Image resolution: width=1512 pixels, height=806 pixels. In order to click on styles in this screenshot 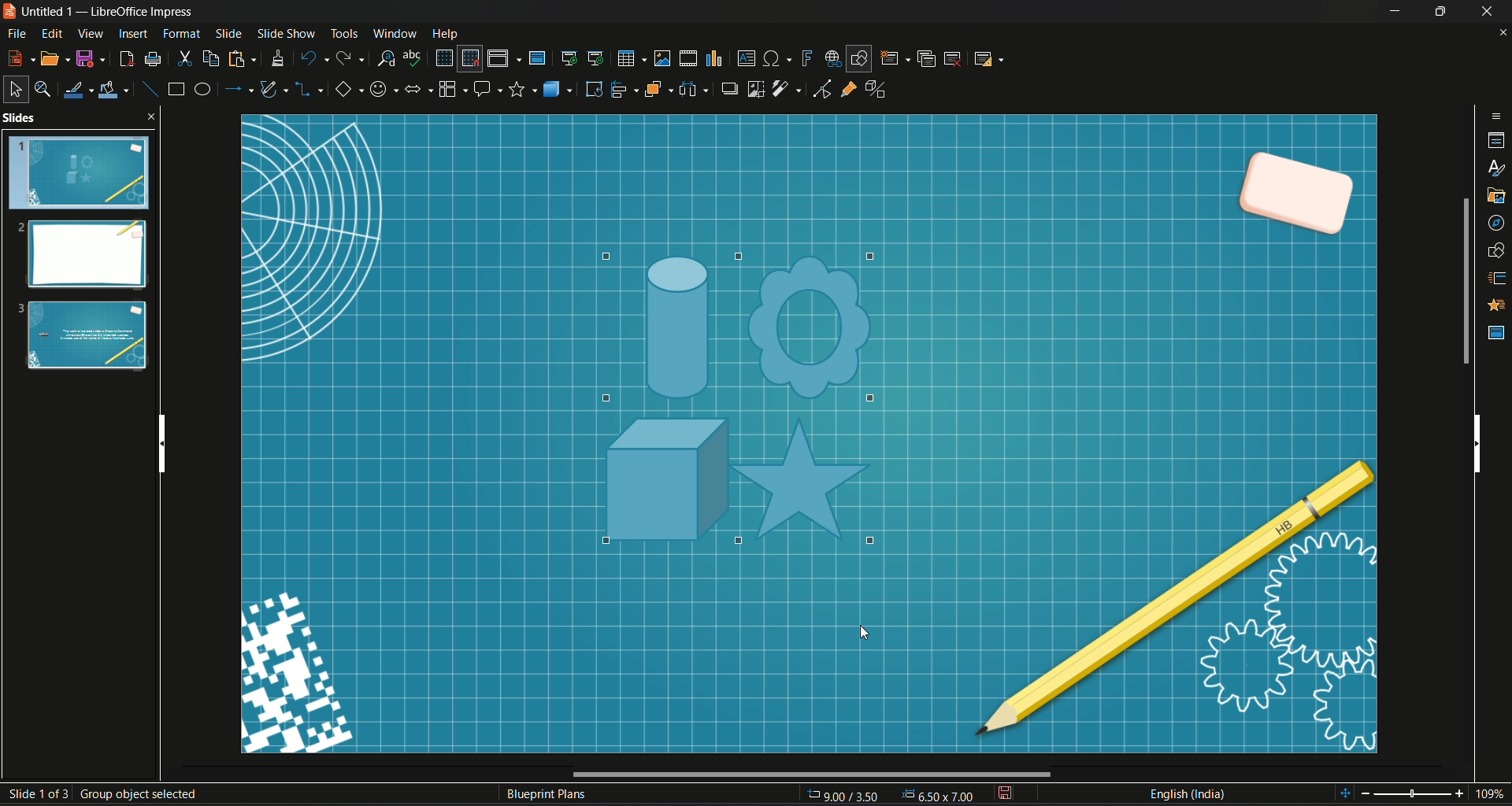, I will do `click(1498, 170)`.